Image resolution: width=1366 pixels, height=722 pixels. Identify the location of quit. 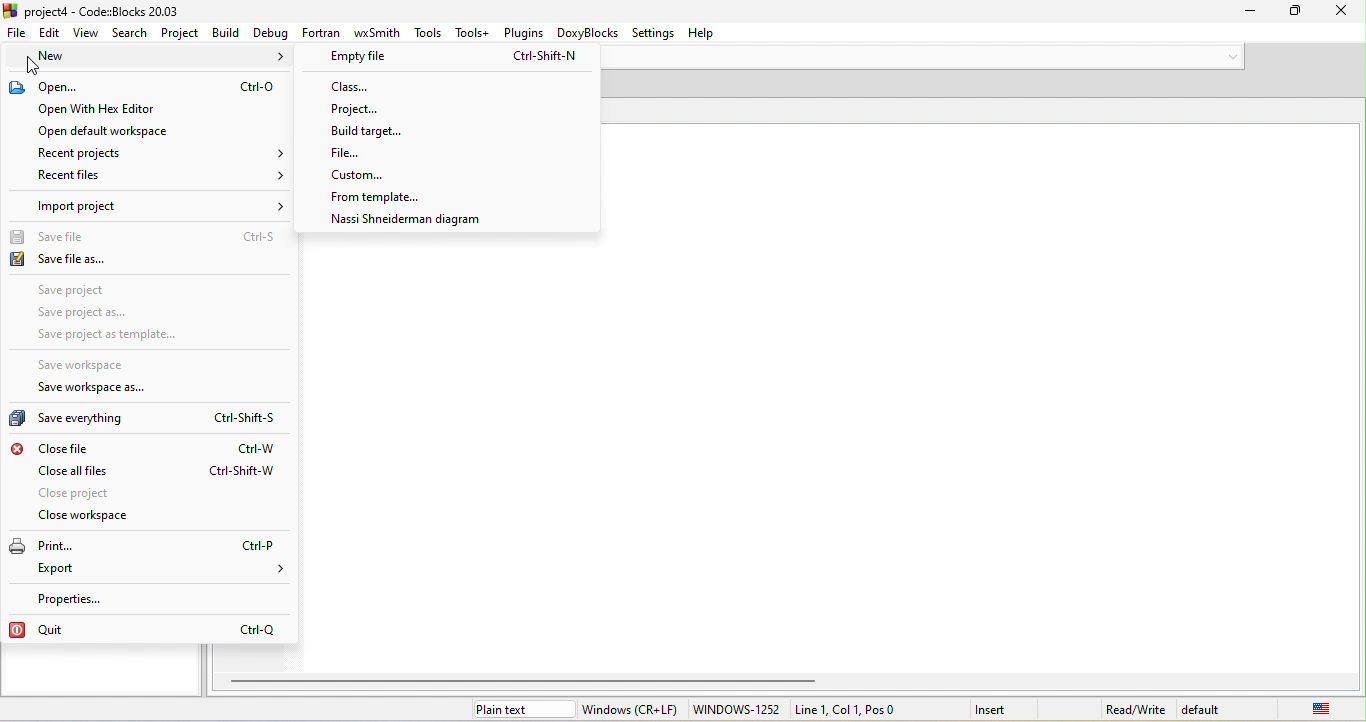
(144, 629).